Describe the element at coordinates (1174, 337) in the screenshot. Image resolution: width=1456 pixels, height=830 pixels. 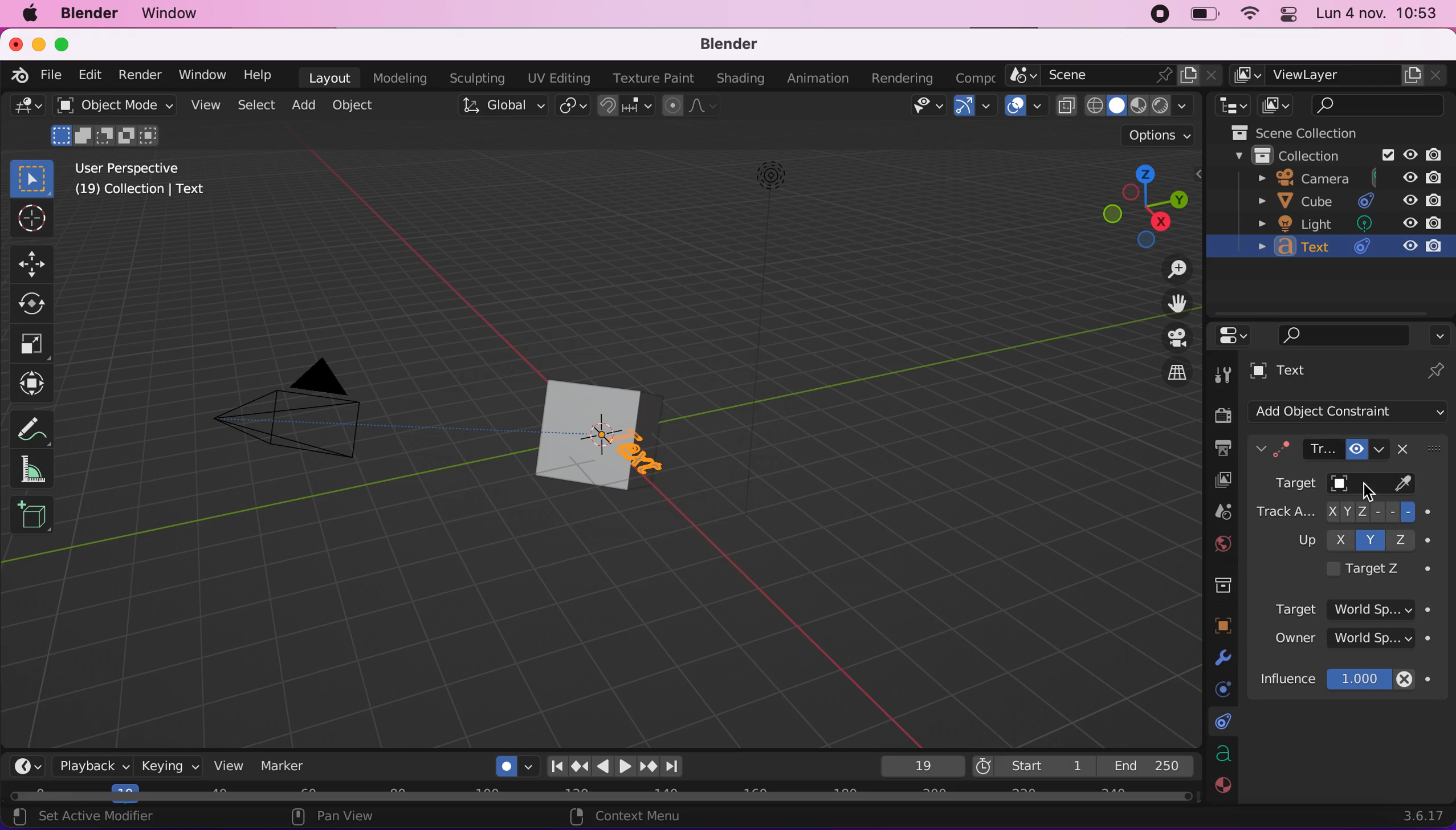
I see `toggle the camera view` at that location.